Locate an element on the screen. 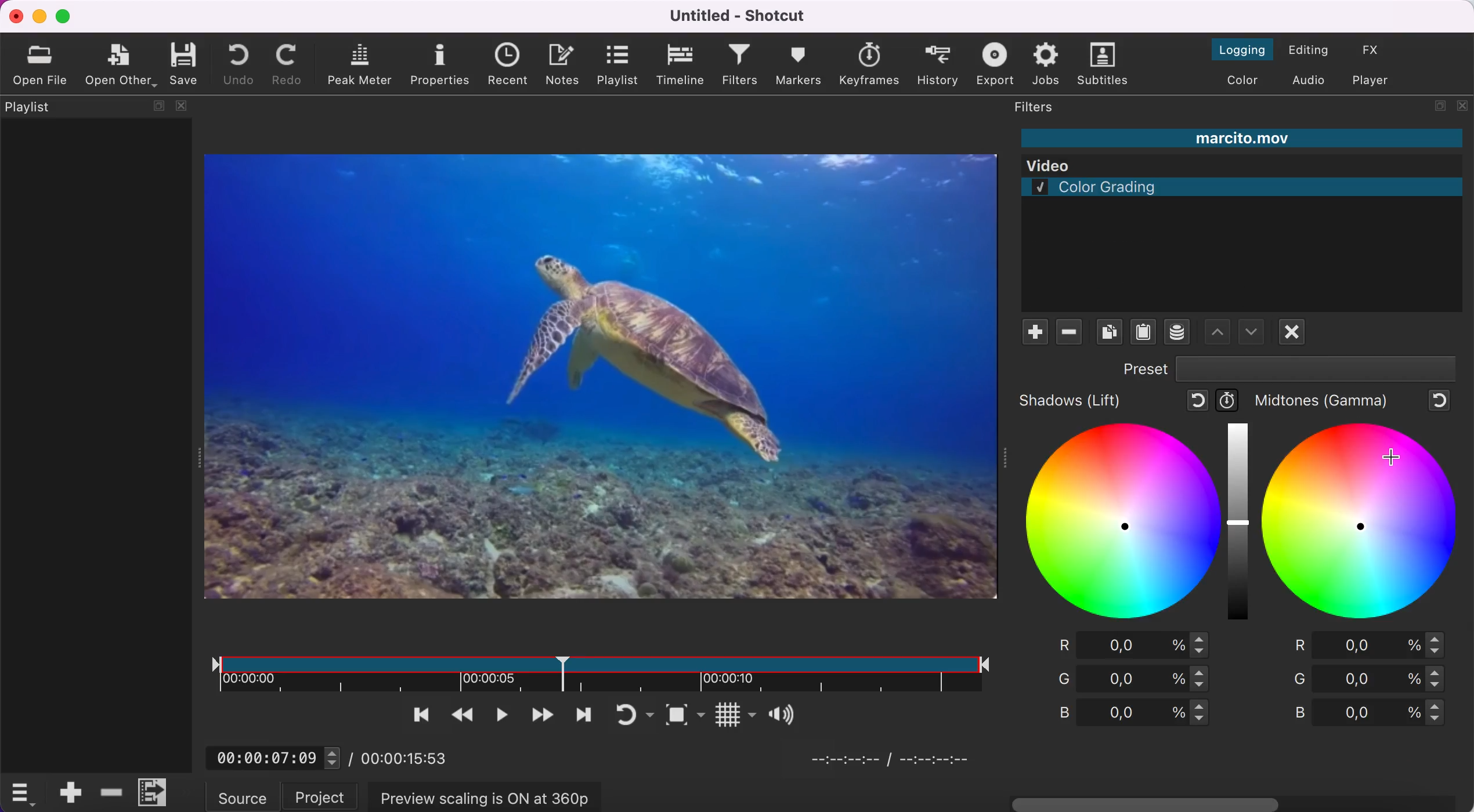  maximize is located at coordinates (1439, 108).